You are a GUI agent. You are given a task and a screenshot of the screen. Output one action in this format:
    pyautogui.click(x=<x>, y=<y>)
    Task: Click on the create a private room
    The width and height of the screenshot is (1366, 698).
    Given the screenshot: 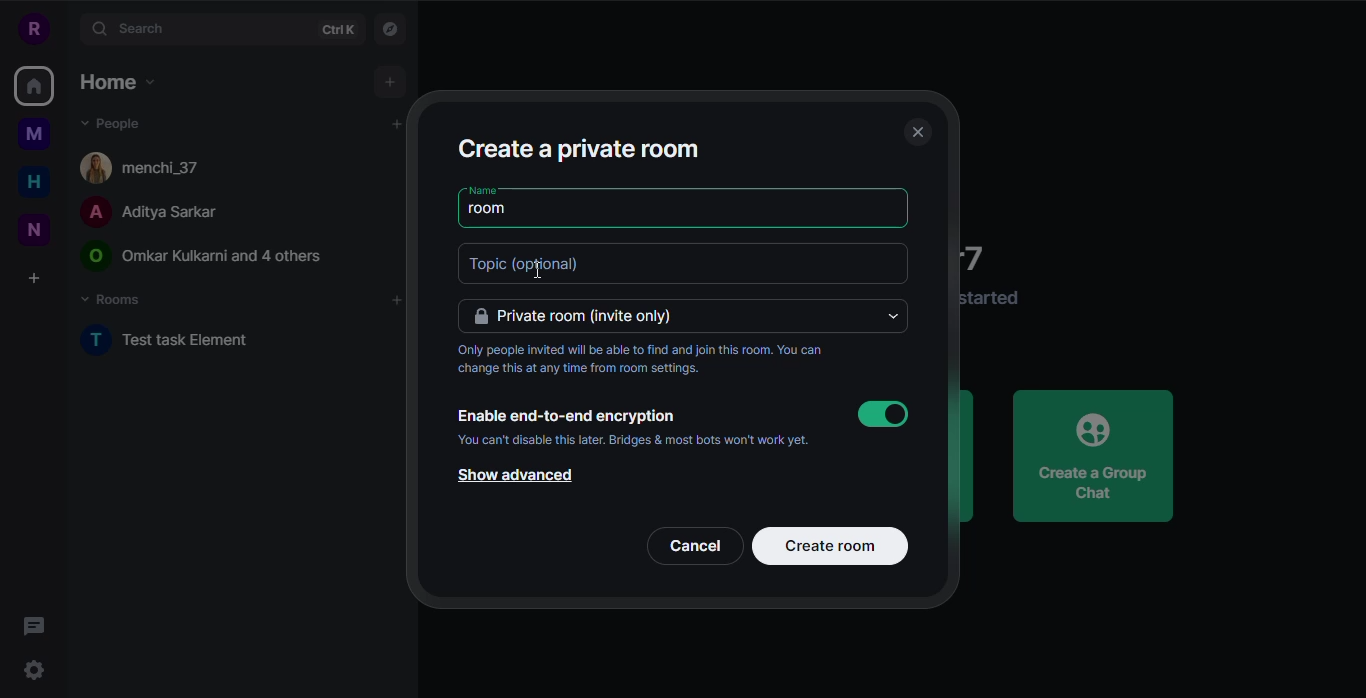 What is the action you would take?
    pyautogui.click(x=578, y=147)
    